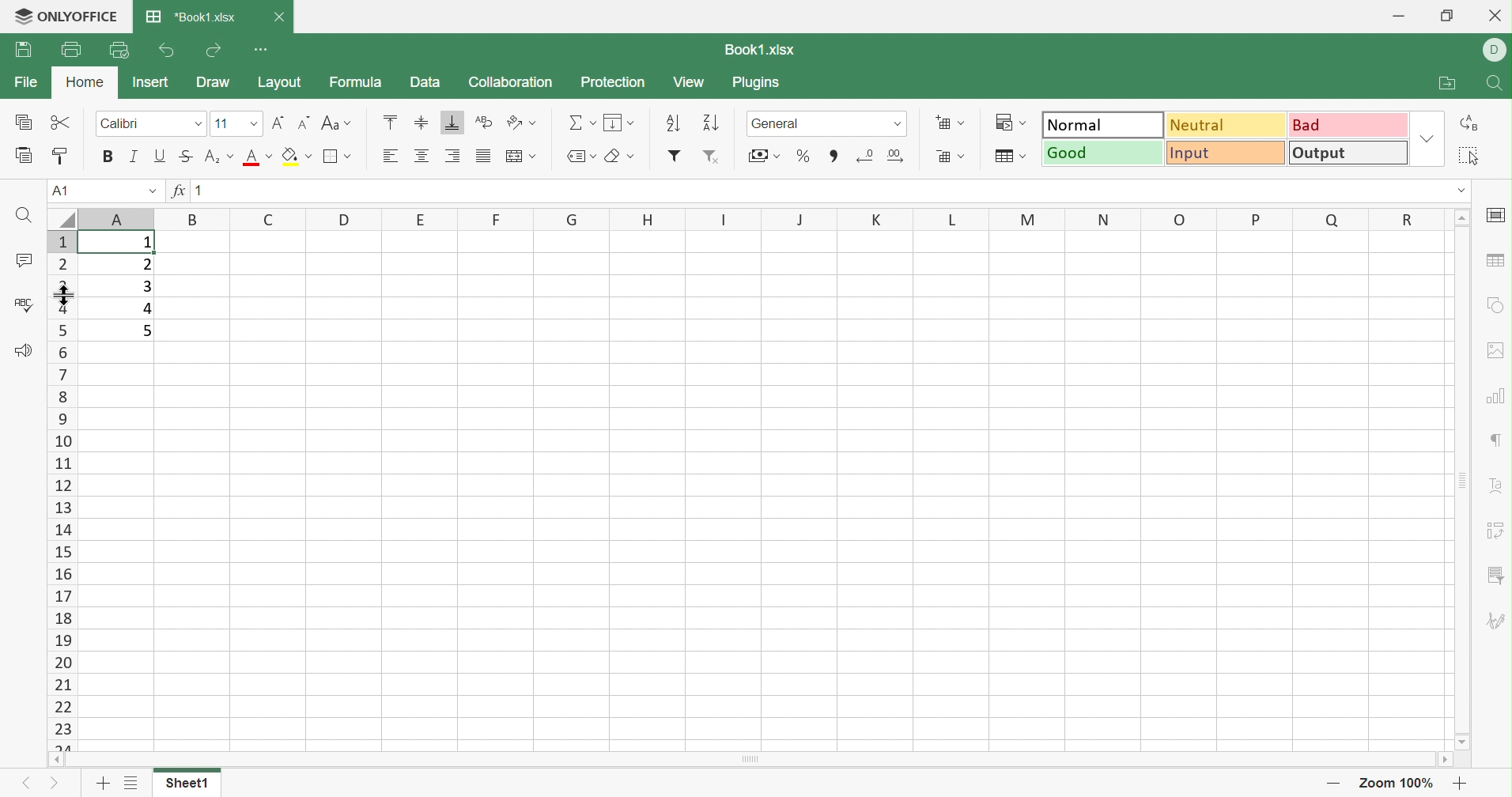 The image size is (1512, 797). What do you see at coordinates (116, 50) in the screenshot?
I see `Quick Print` at bounding box center [116, 50].